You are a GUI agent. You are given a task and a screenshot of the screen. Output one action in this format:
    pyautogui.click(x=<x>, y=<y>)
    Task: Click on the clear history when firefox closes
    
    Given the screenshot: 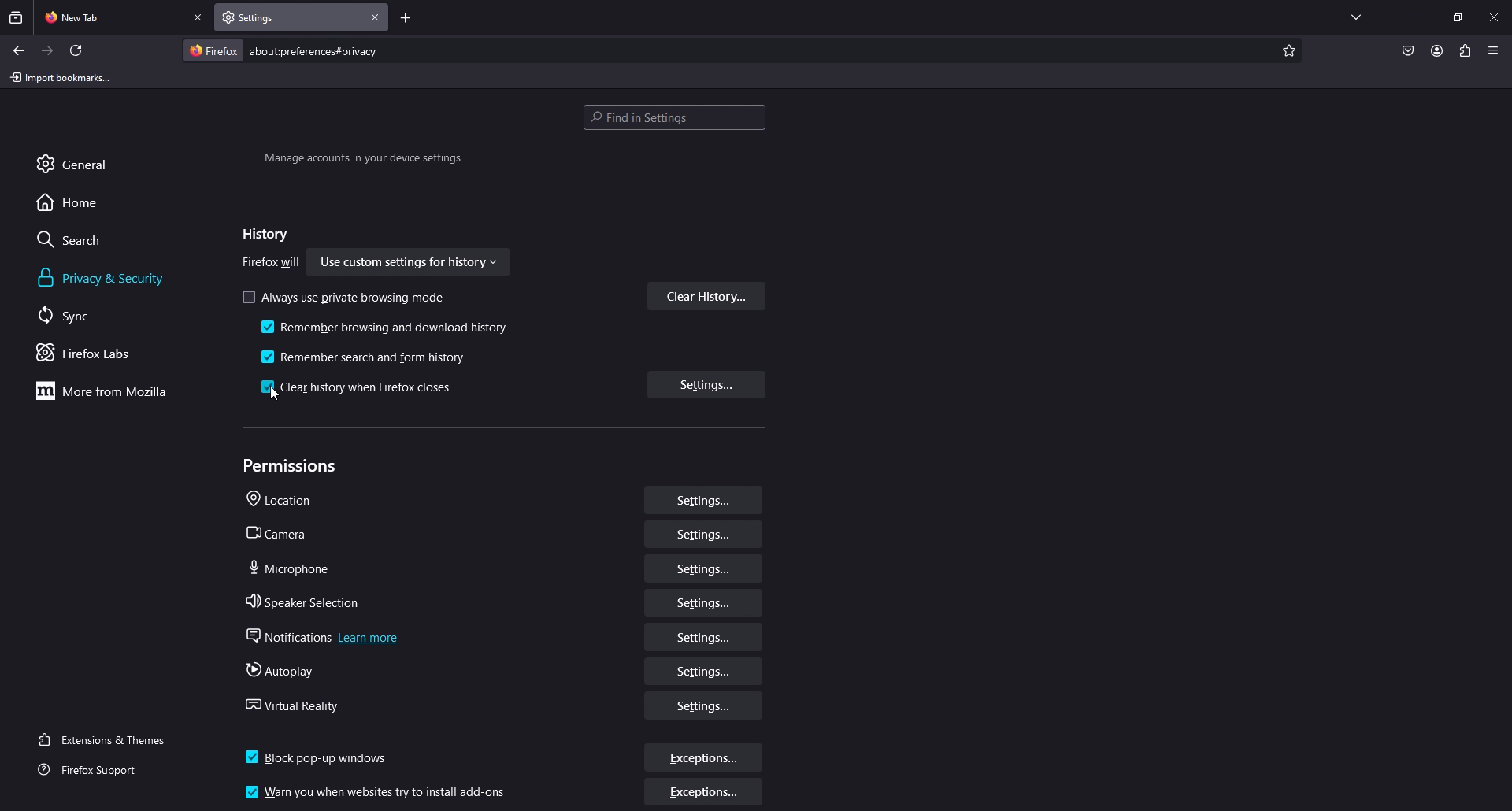 What is the action you would take?
    pyautogui.click(x=361, y=388)
    